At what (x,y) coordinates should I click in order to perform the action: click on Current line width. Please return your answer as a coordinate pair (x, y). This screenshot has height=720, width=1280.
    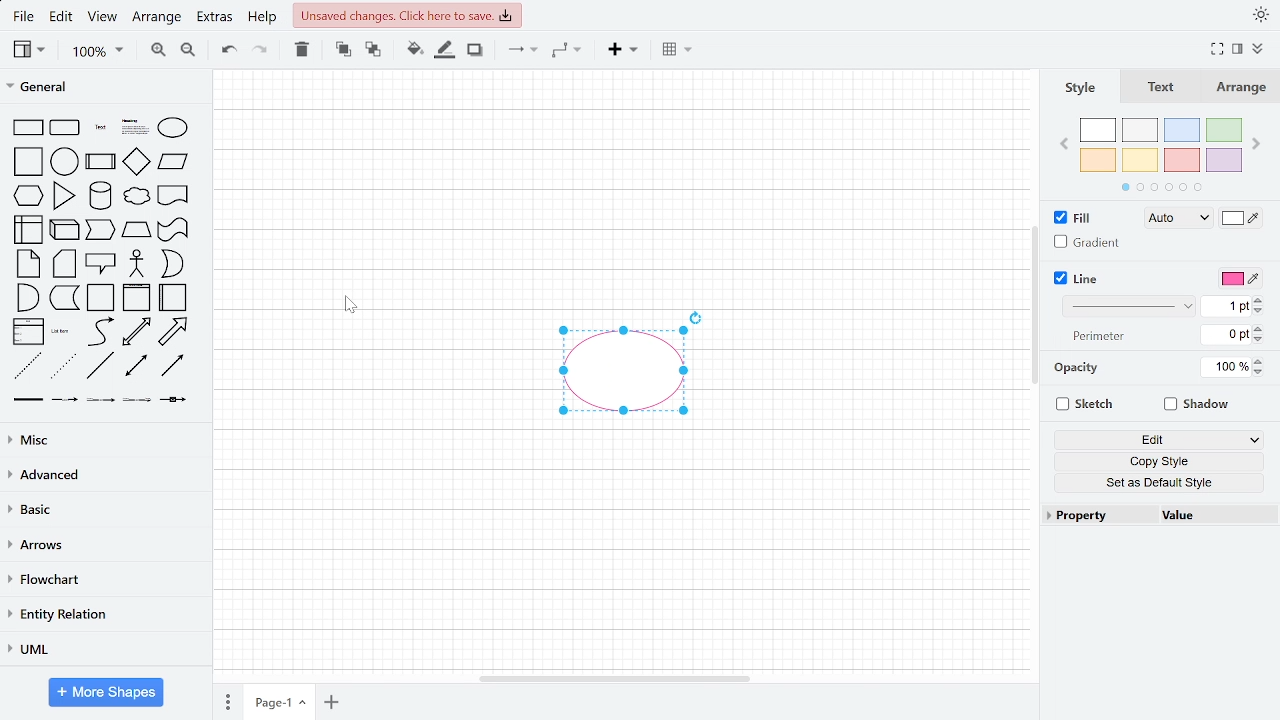
    Looking at the image, I should click on (1228, 306).